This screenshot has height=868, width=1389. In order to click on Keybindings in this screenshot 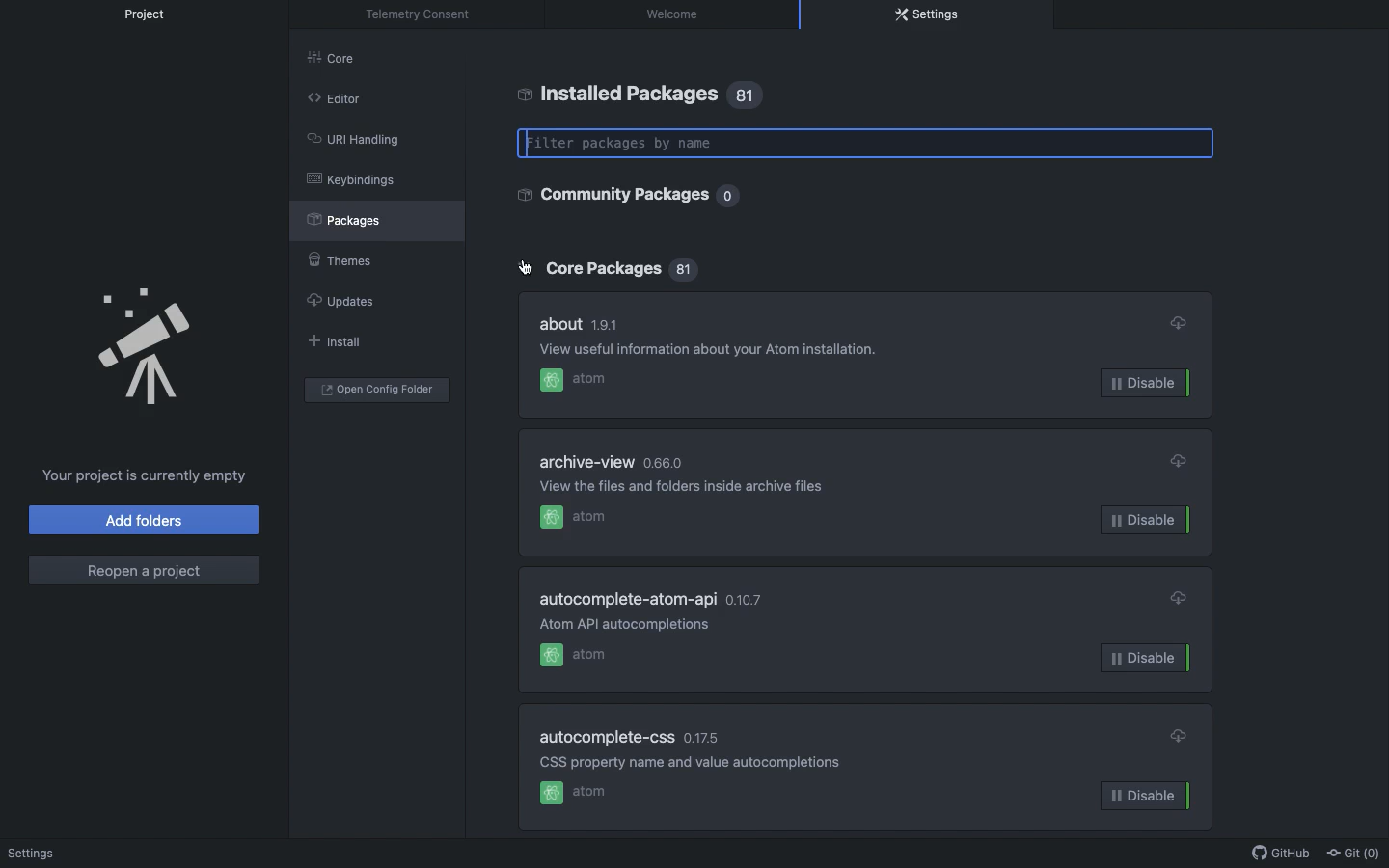, I will do `click(351, 179)`.